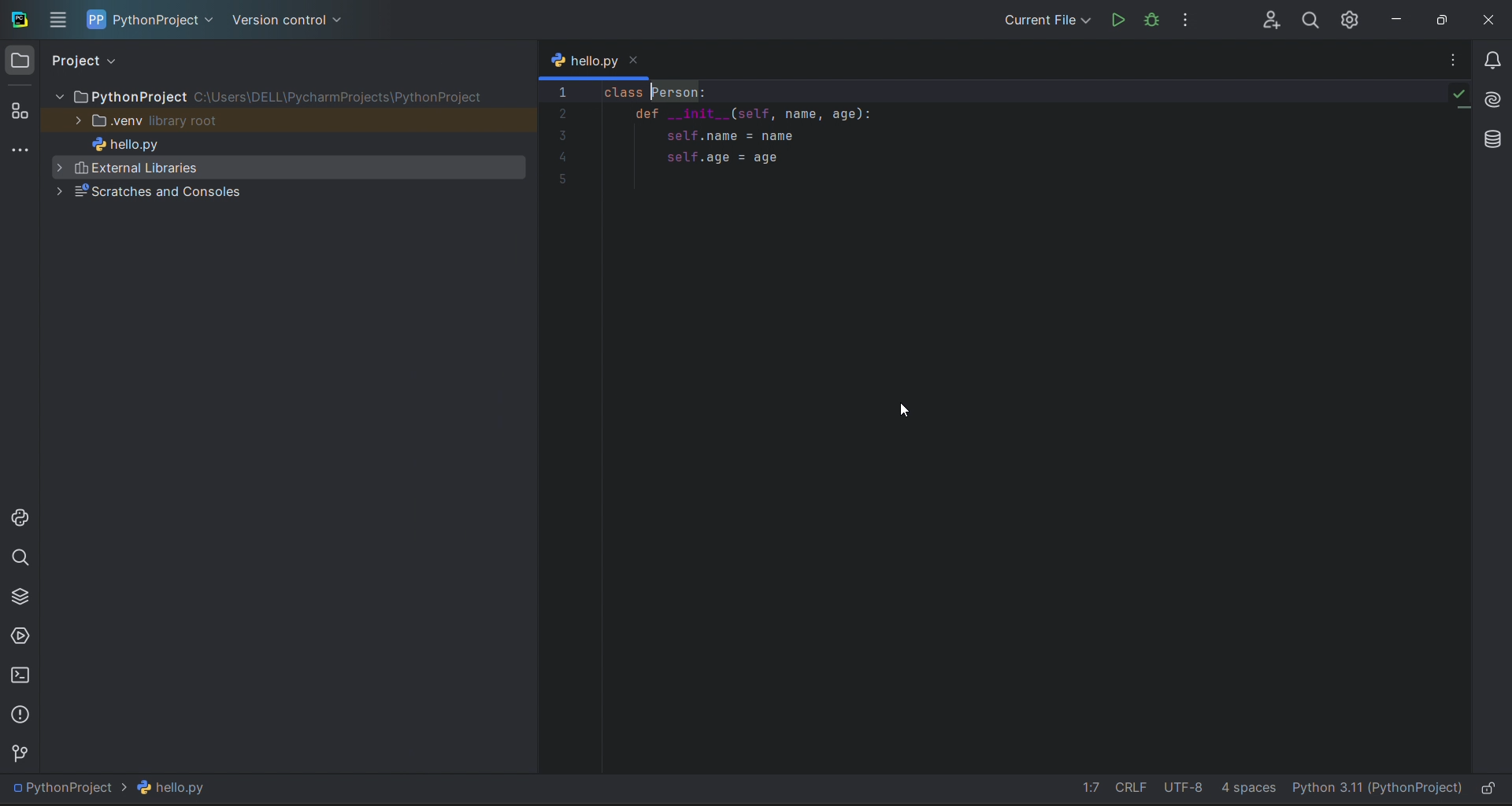 This screenshot has height=806, width=1512. What do you see at coordinates (1272, 20) in the screenshot?
I see `collab` at bounding box center [1272, 20].